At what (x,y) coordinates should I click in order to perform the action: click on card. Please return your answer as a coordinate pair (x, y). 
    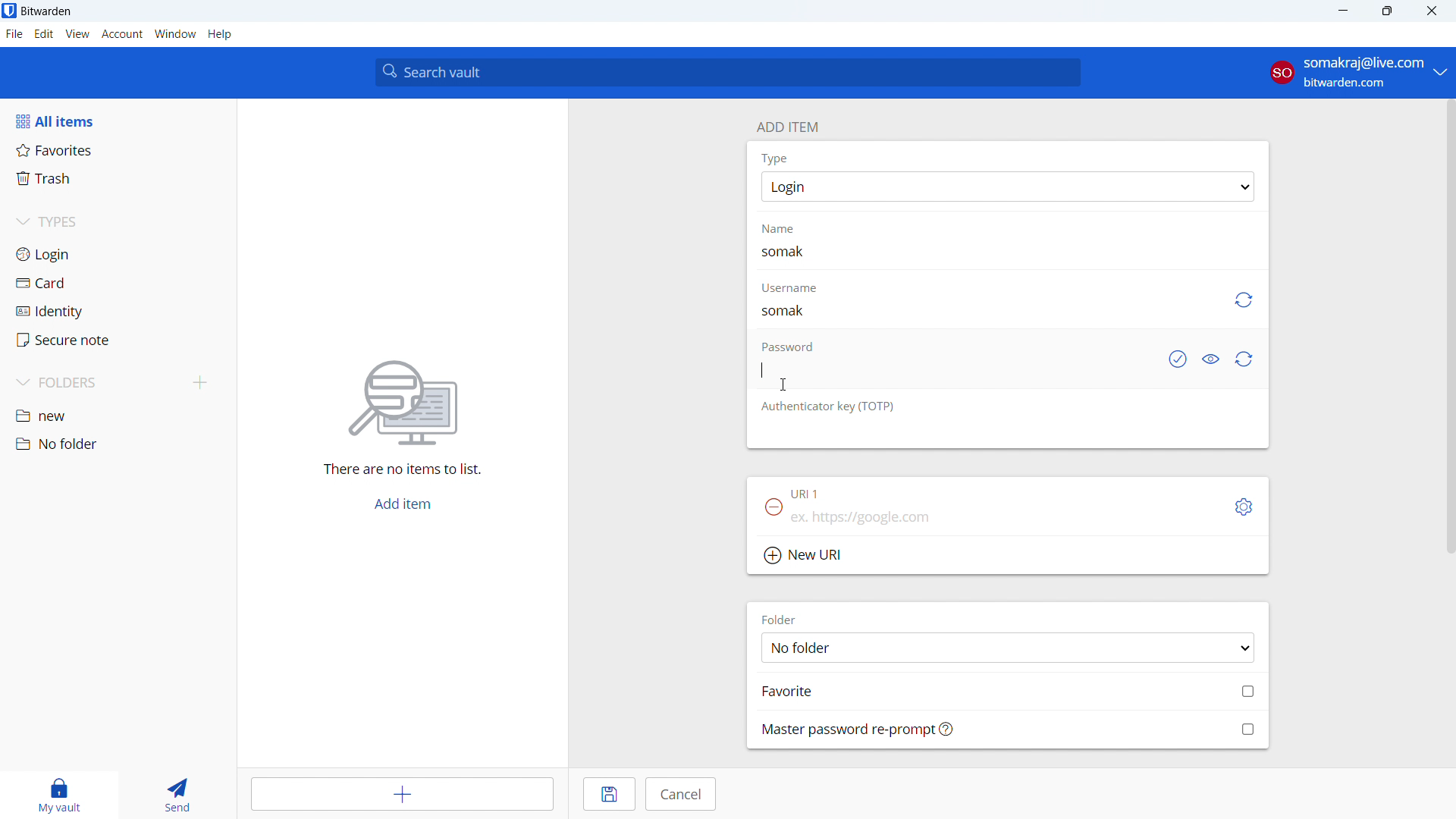
    Looking at the image, I should click on (118, 284).